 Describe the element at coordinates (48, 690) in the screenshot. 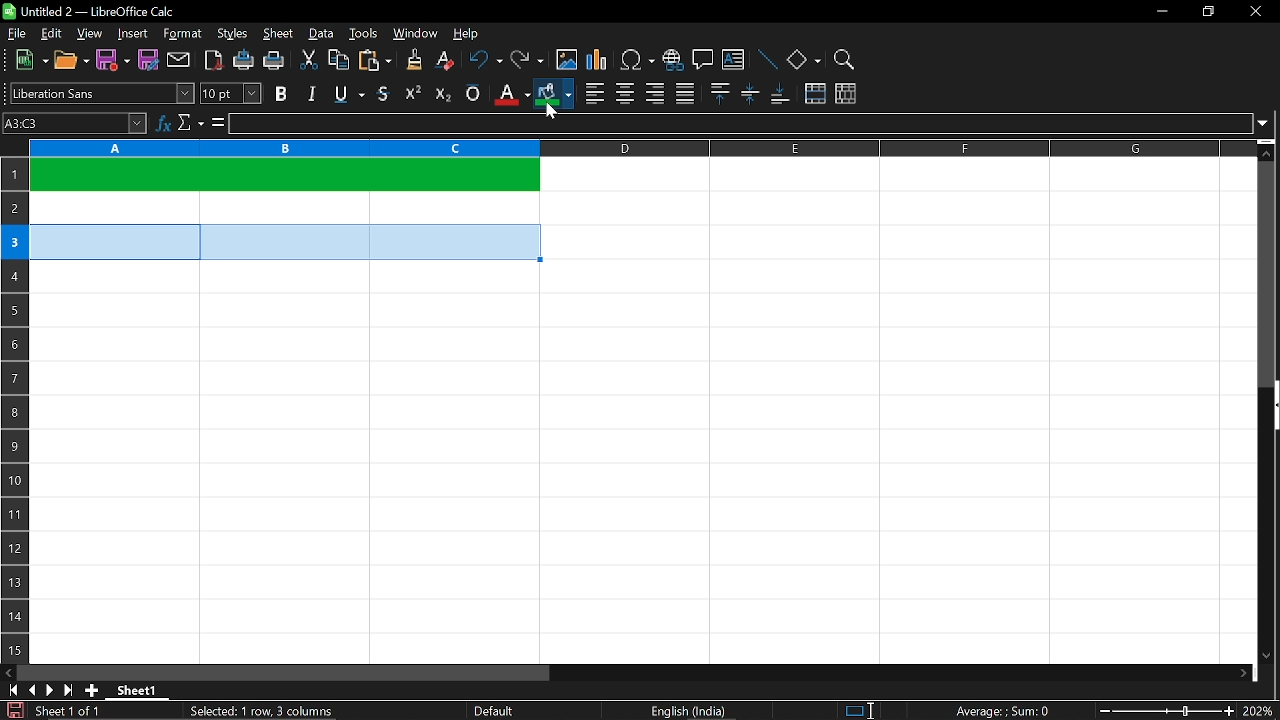

I see `next sheet` at that location.